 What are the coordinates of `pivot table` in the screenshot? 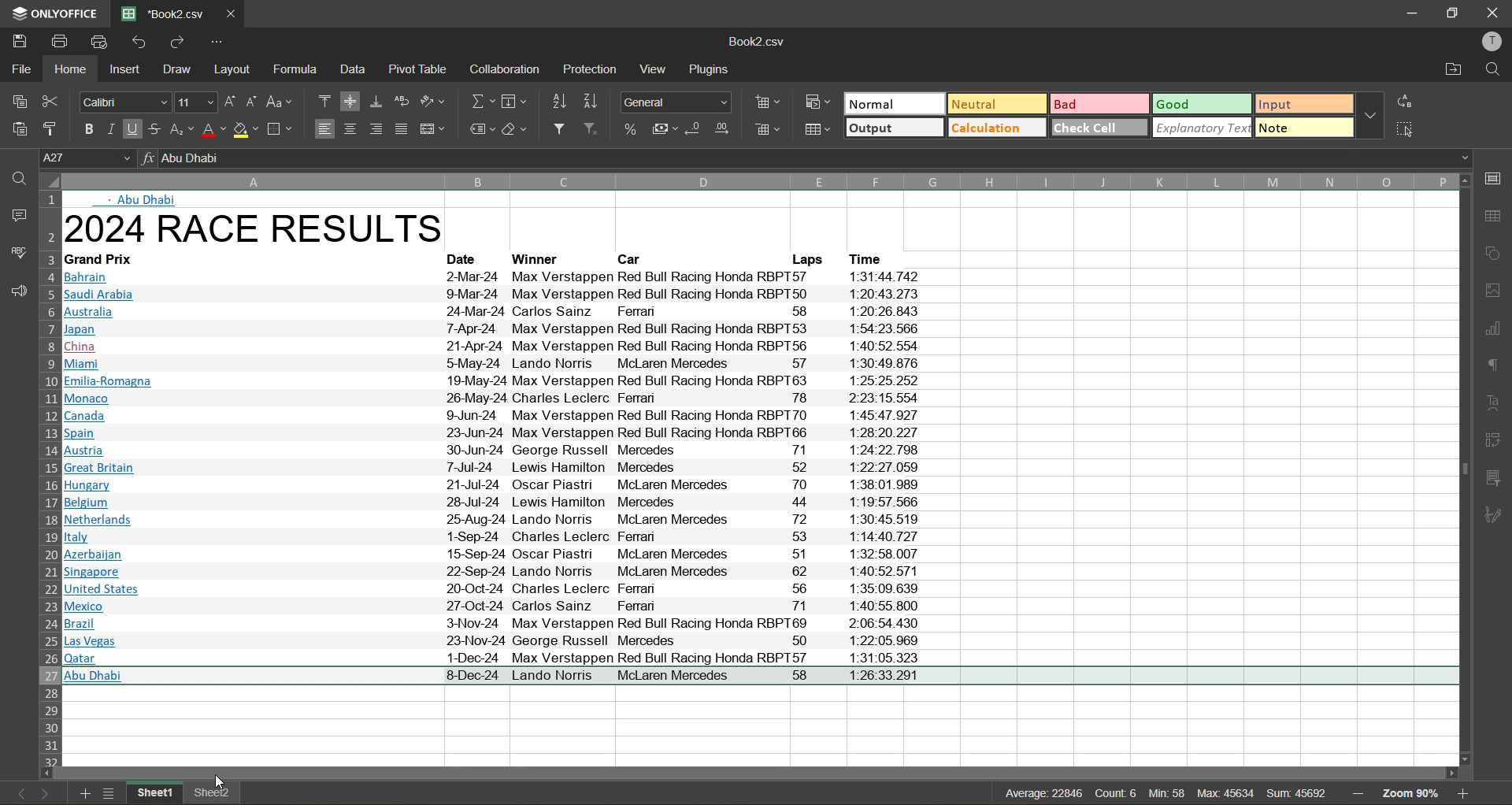 It's located at (419, 73).